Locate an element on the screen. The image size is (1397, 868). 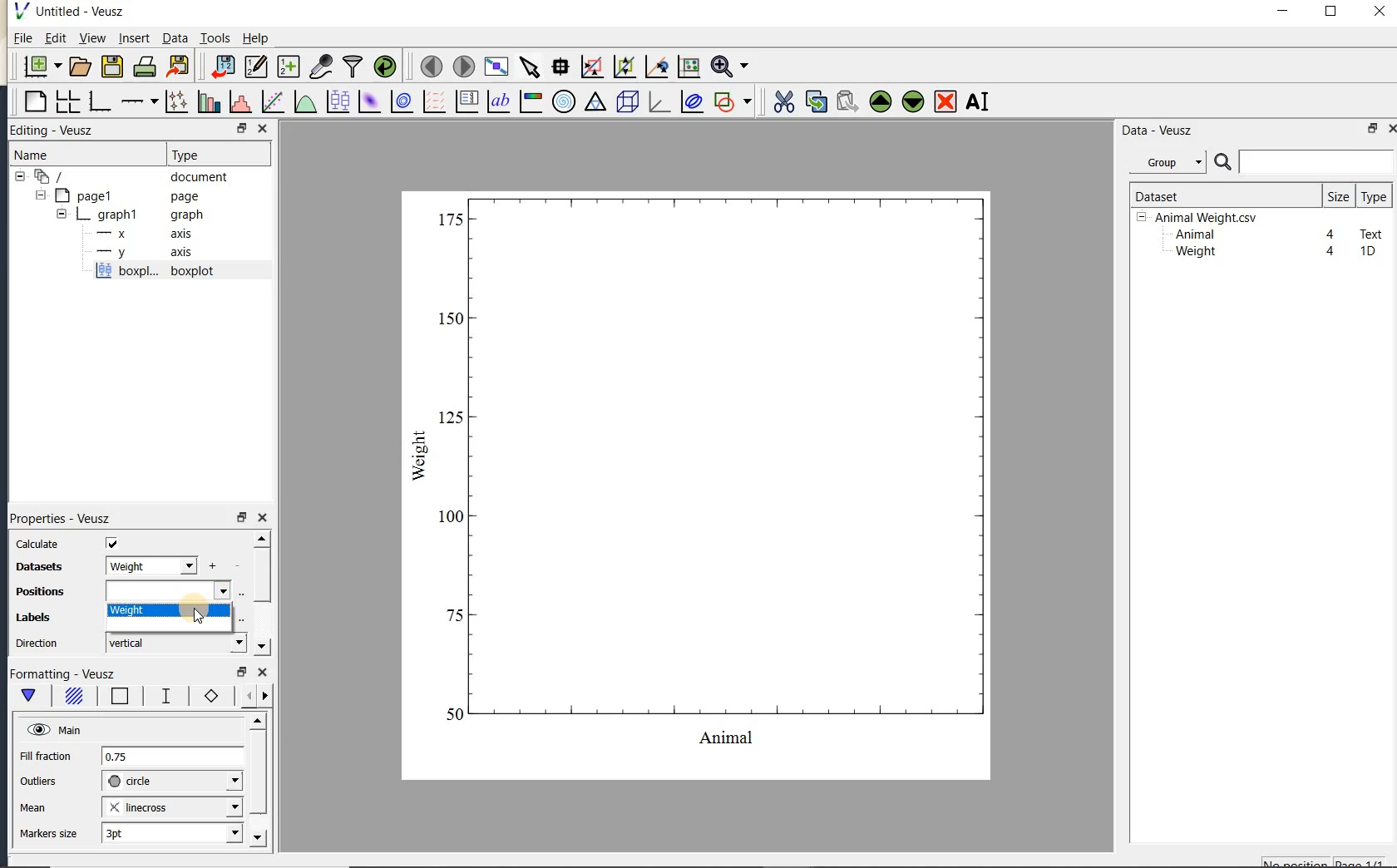
Text is located at coordinates (1372, 232).